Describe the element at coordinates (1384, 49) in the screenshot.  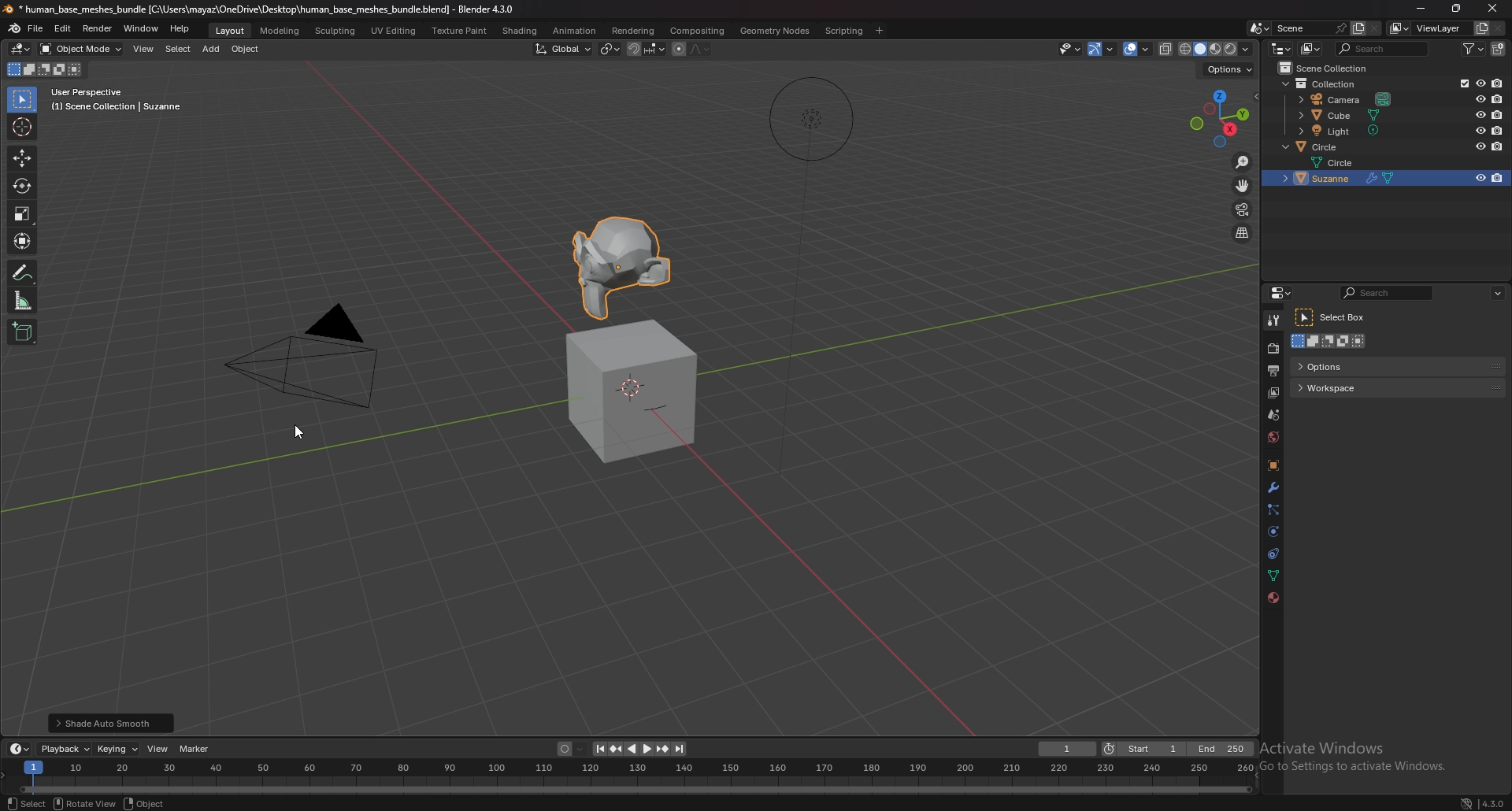
I see `search` at that location.